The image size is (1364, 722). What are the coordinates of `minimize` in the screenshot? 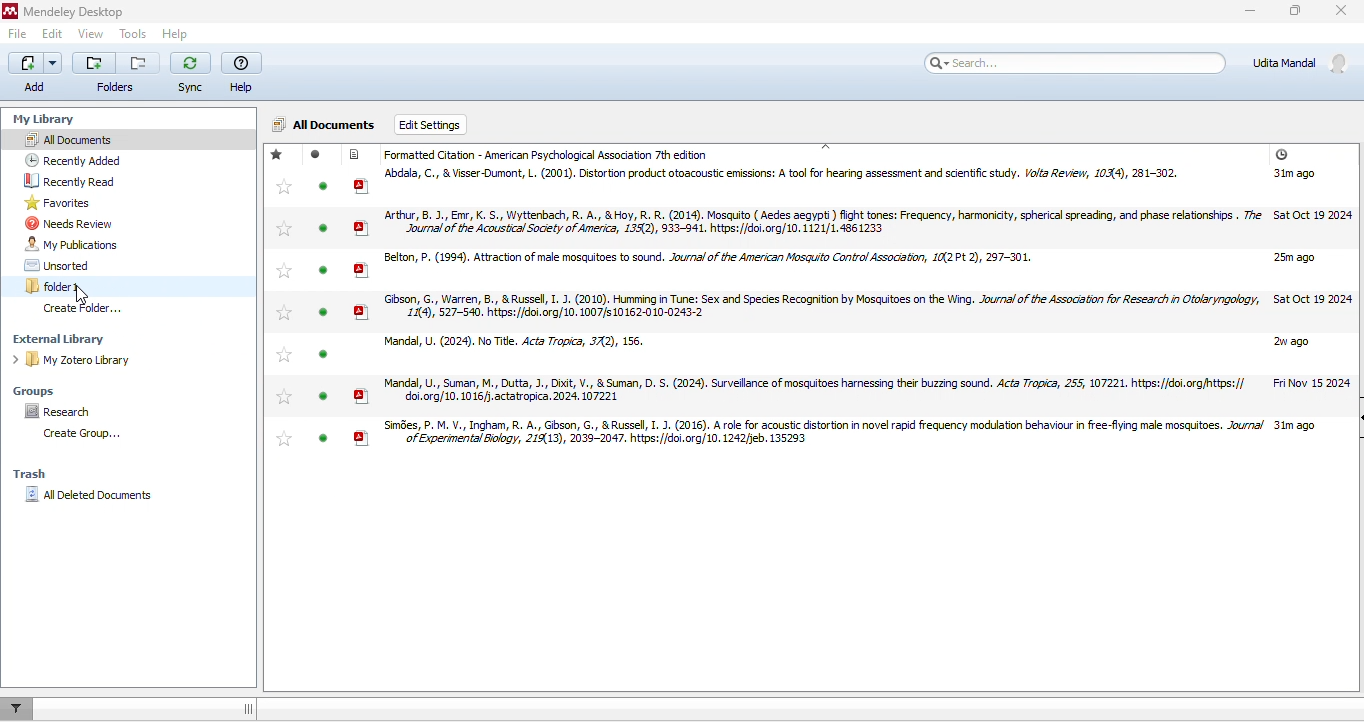 It's located at (1240, 17).